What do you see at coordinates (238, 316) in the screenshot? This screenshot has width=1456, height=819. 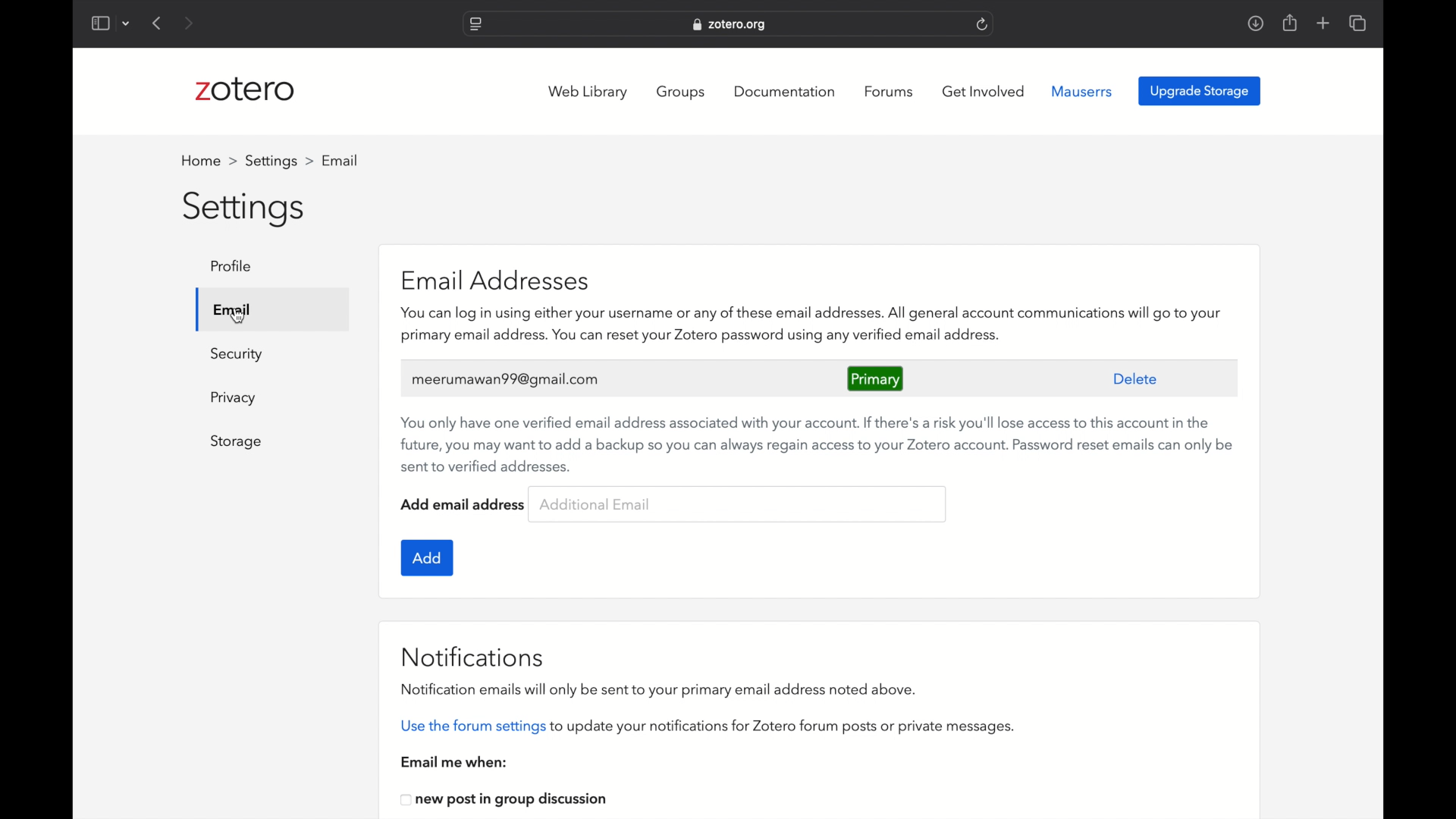 I see `cursor` at bounding box center [238, 316].